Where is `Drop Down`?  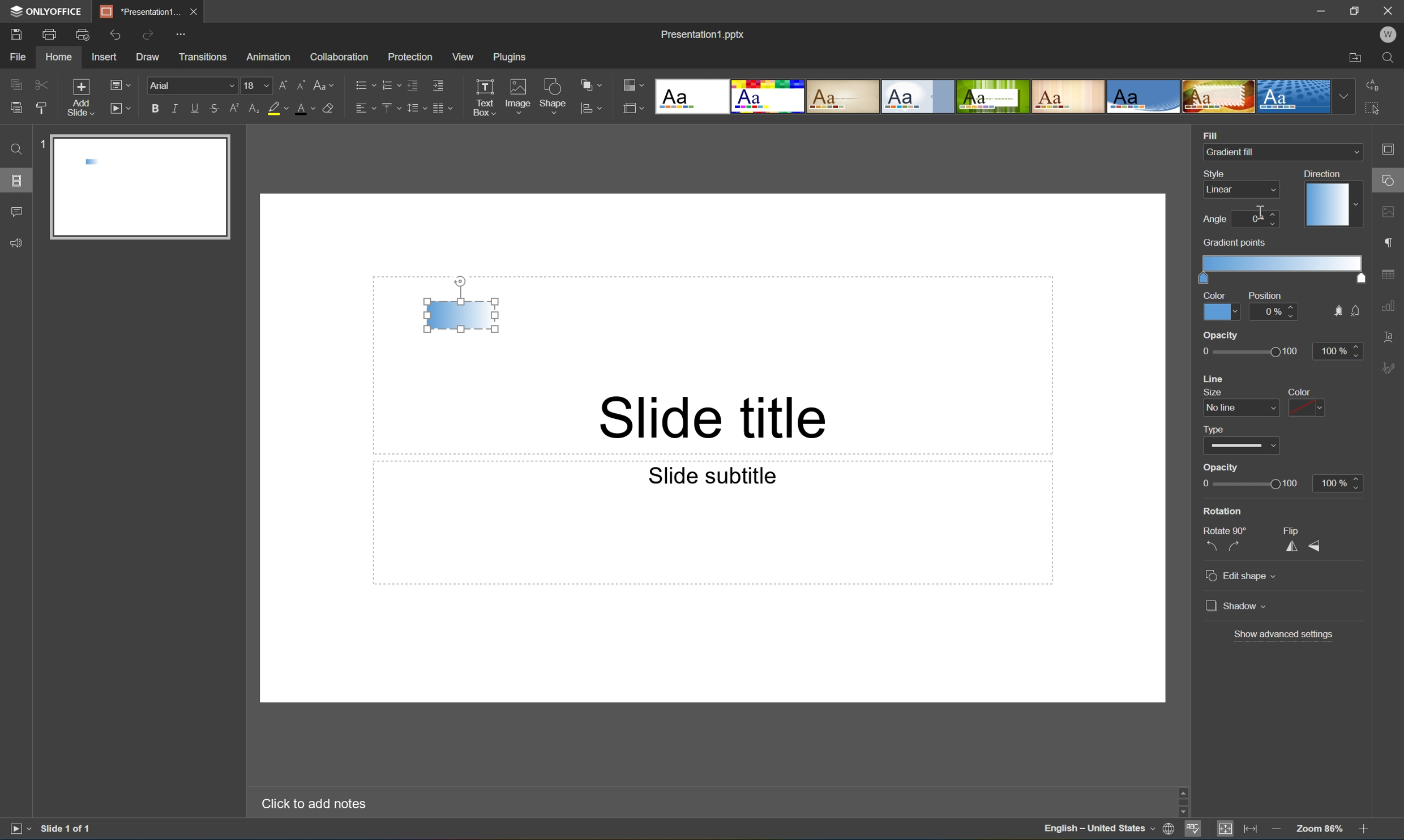 Drop Down is located at coordinates (1345, 96).